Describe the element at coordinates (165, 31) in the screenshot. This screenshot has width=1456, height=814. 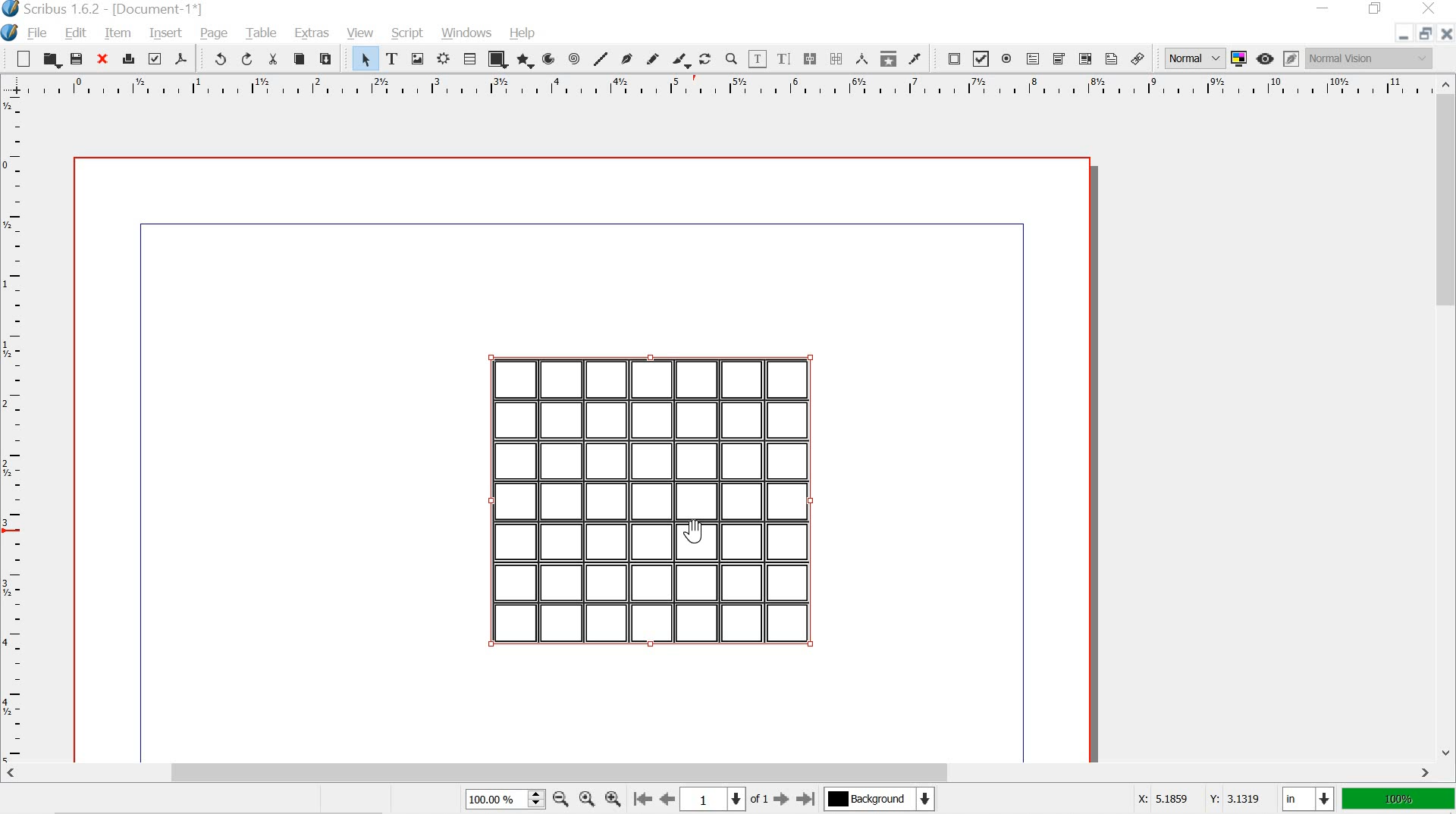
I see `insert` at that location.